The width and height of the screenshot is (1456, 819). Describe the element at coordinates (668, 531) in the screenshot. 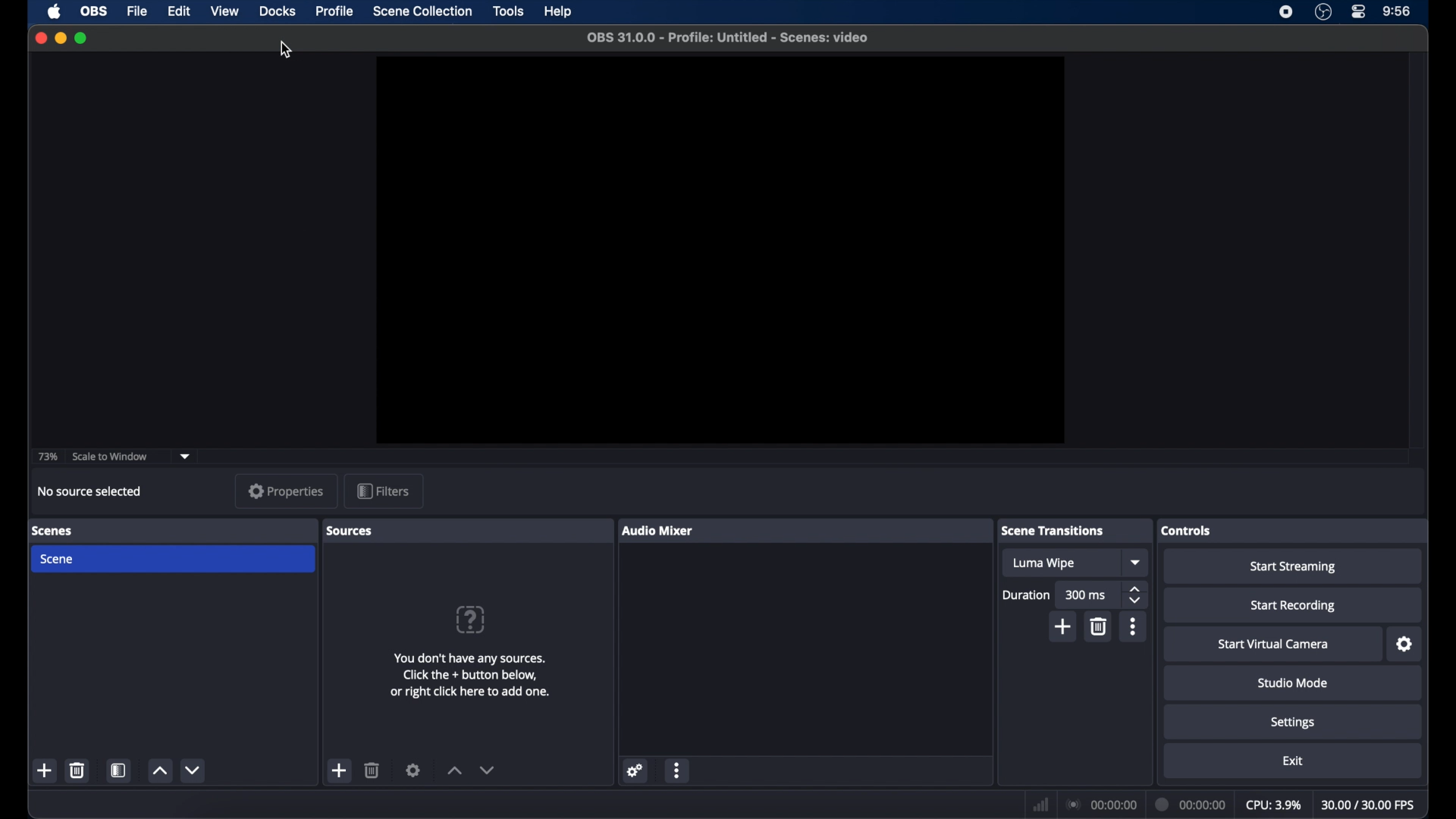

I see `audio mixer` at that location.